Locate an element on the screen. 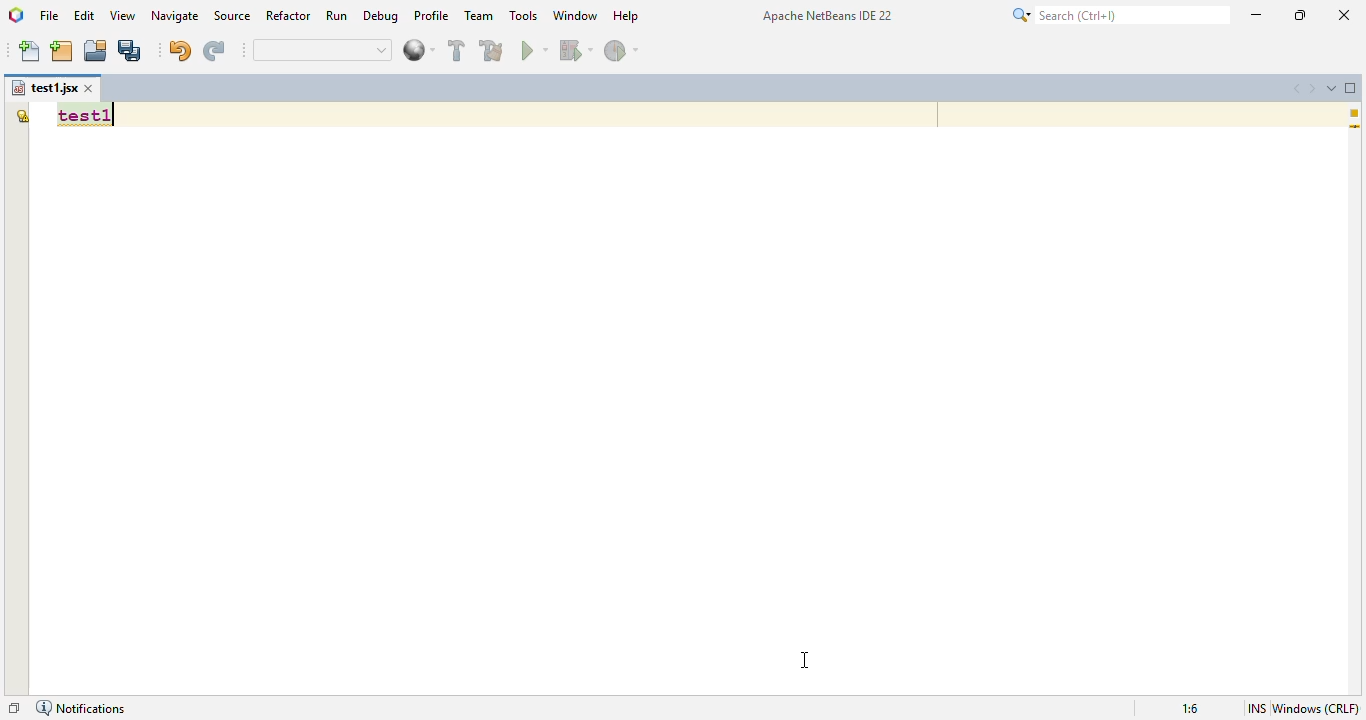 Image resolution: width=1366 pixels, height=720 pixels. close is located at coordinates (1343, 14).